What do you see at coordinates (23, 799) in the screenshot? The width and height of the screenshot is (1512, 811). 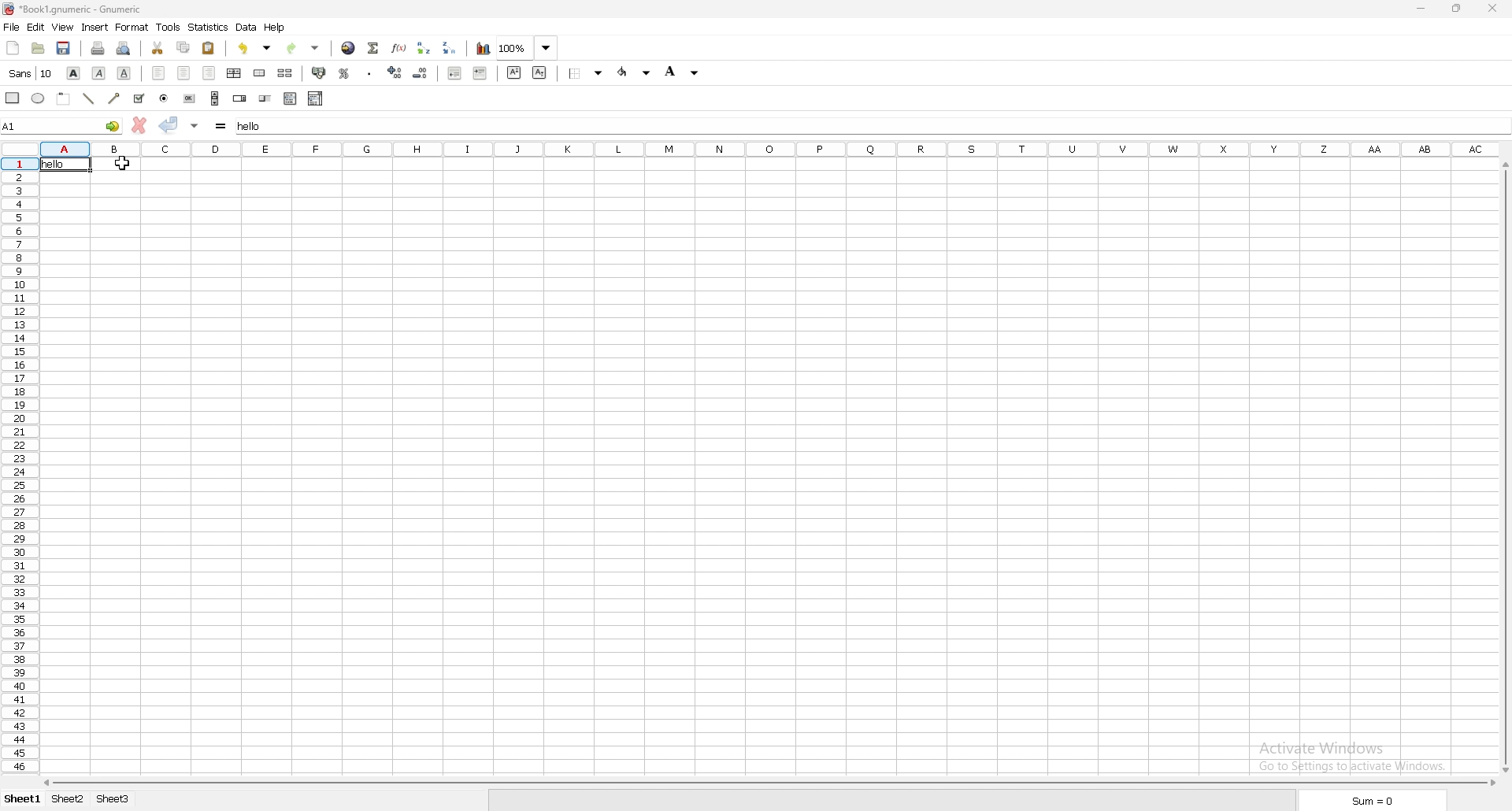 I see `tab` at bounding box center [23, 799].